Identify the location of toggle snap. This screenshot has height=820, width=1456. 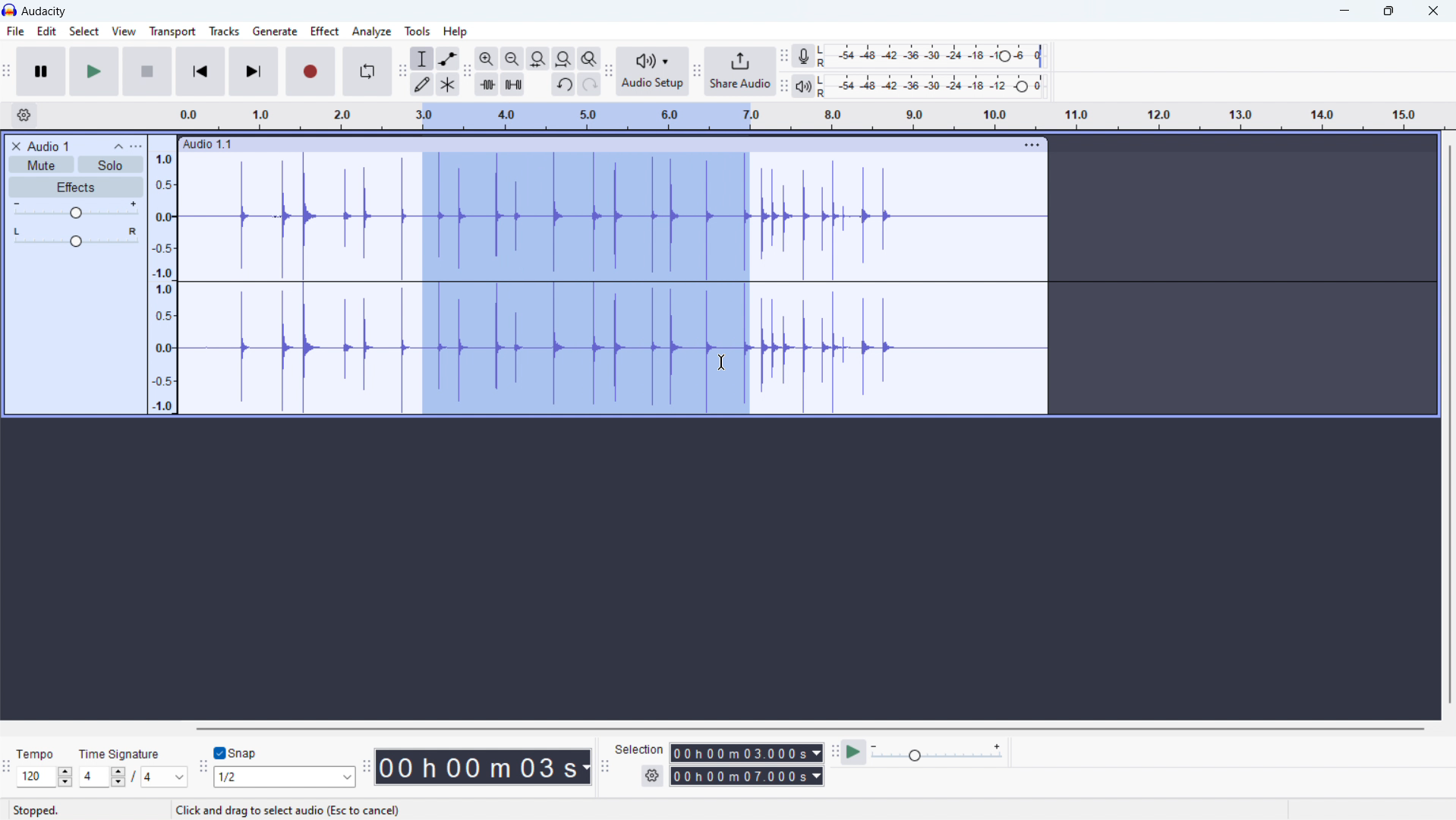
(235, 752).